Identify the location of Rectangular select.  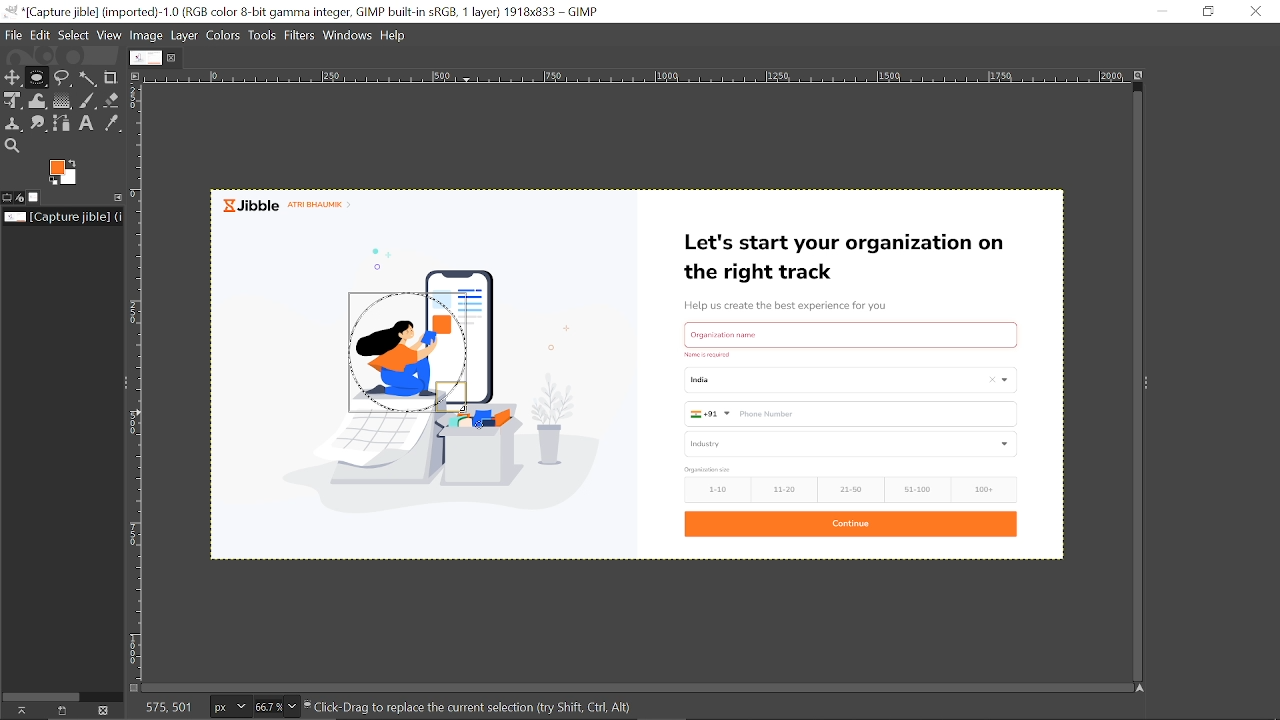
(36, 81).